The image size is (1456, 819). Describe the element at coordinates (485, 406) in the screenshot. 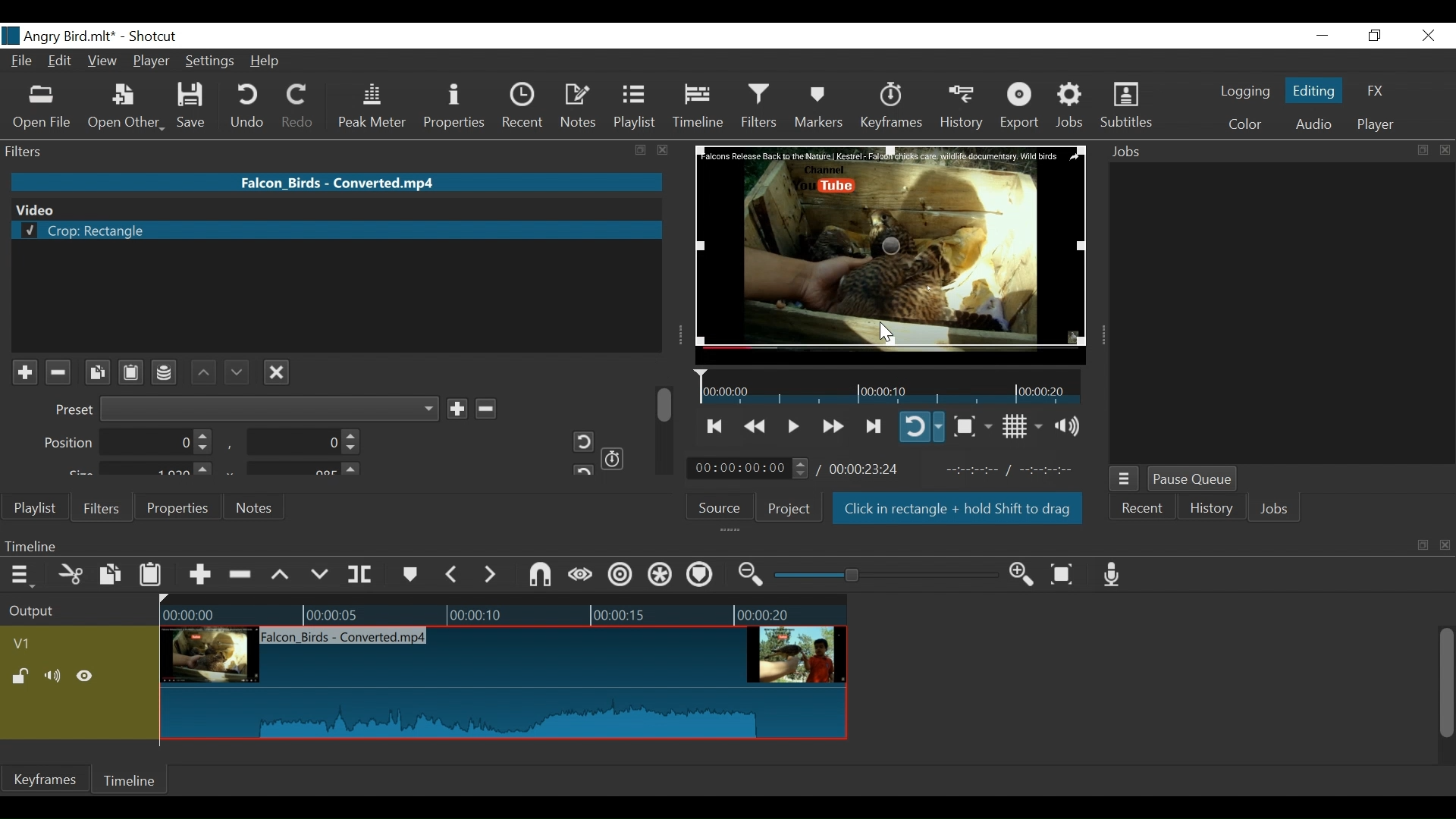

I see `Minus` at that location.